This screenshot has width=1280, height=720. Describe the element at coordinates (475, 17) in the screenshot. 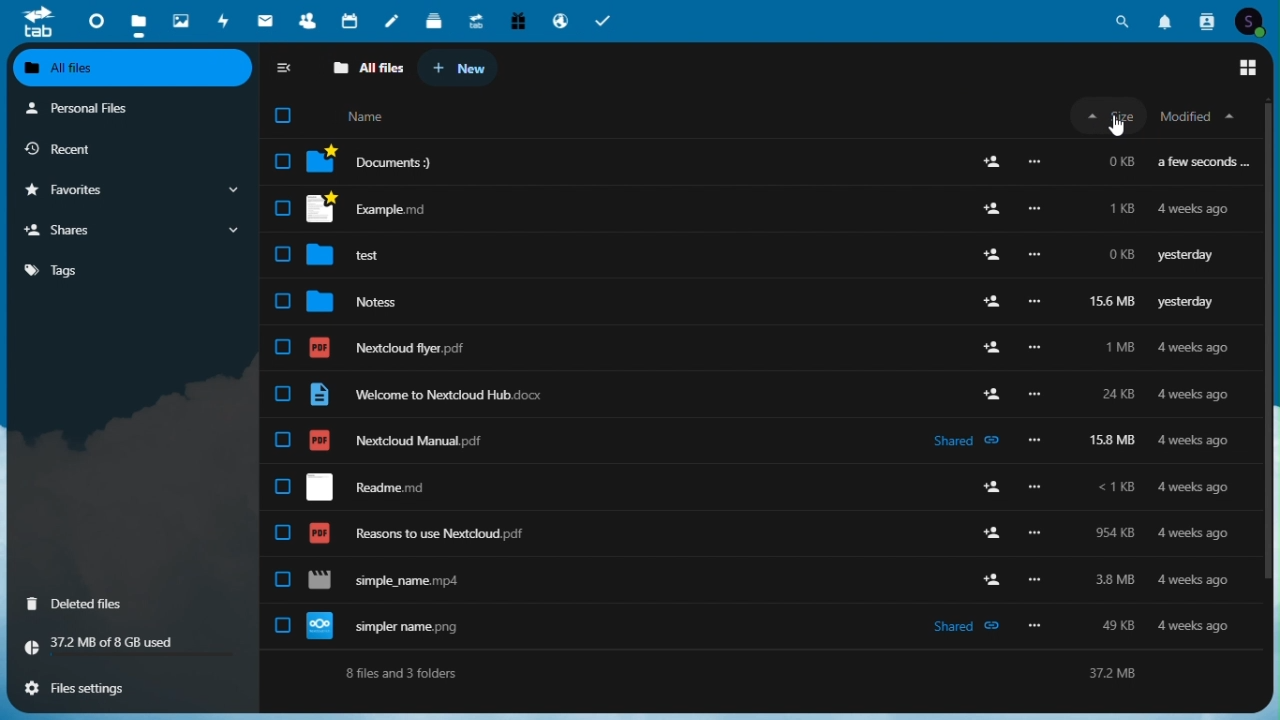

I see `Upgrade` at that location.